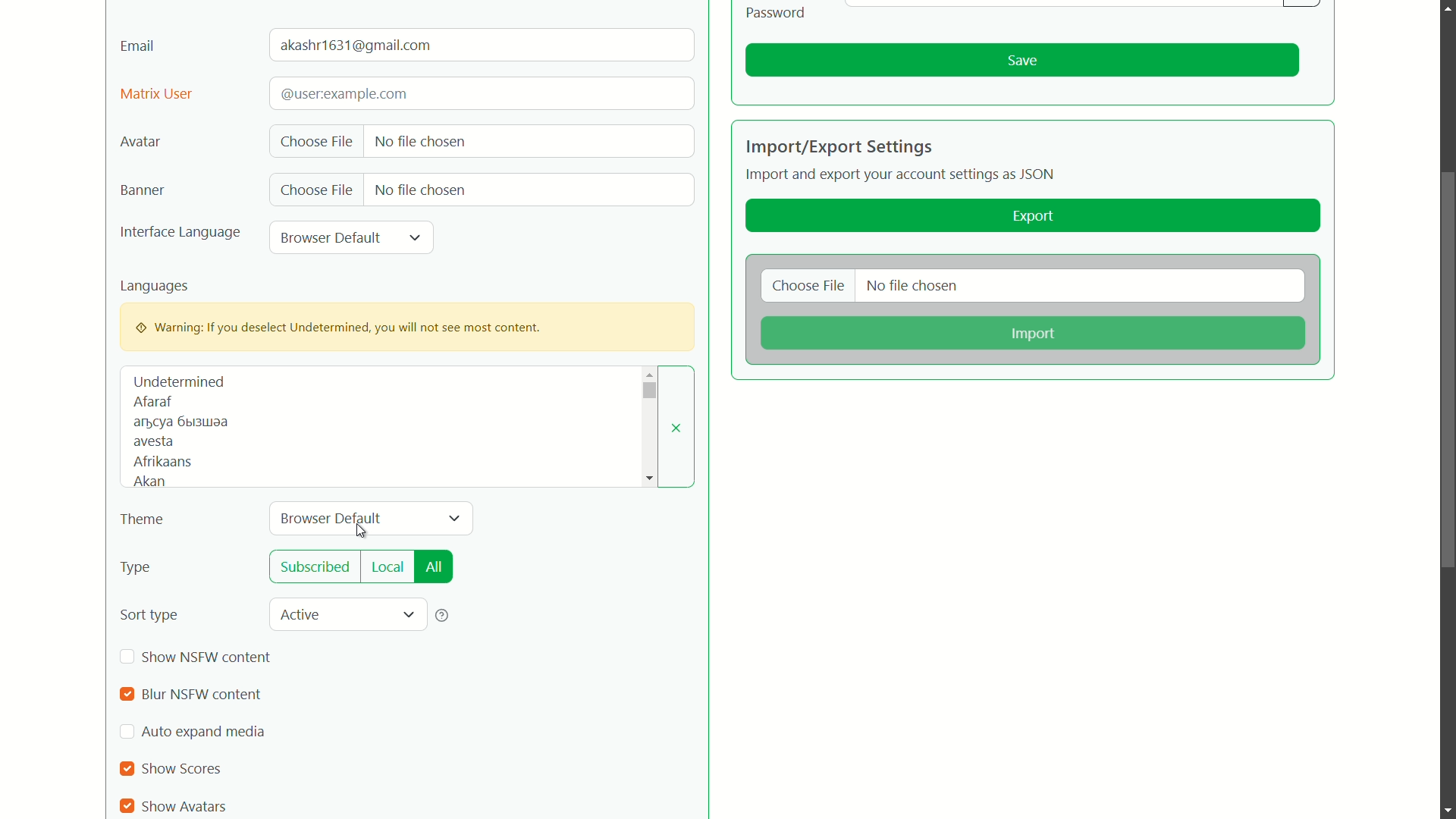 This screenshot has height=819, width=1456. I want to click on no file chosen, so click(419, 188).